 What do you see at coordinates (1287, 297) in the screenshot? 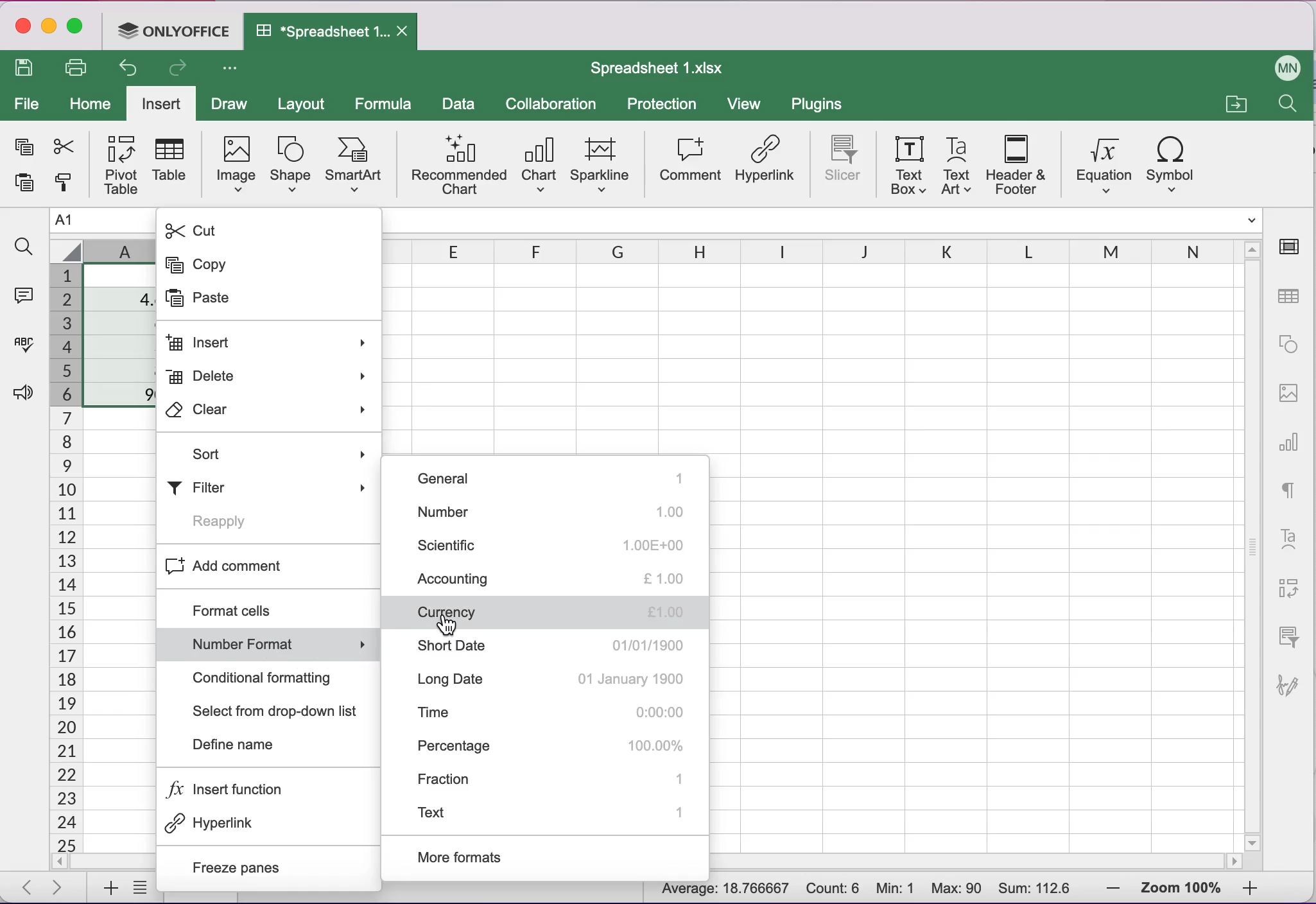
I see `table` at bounding box center [1287, 297].